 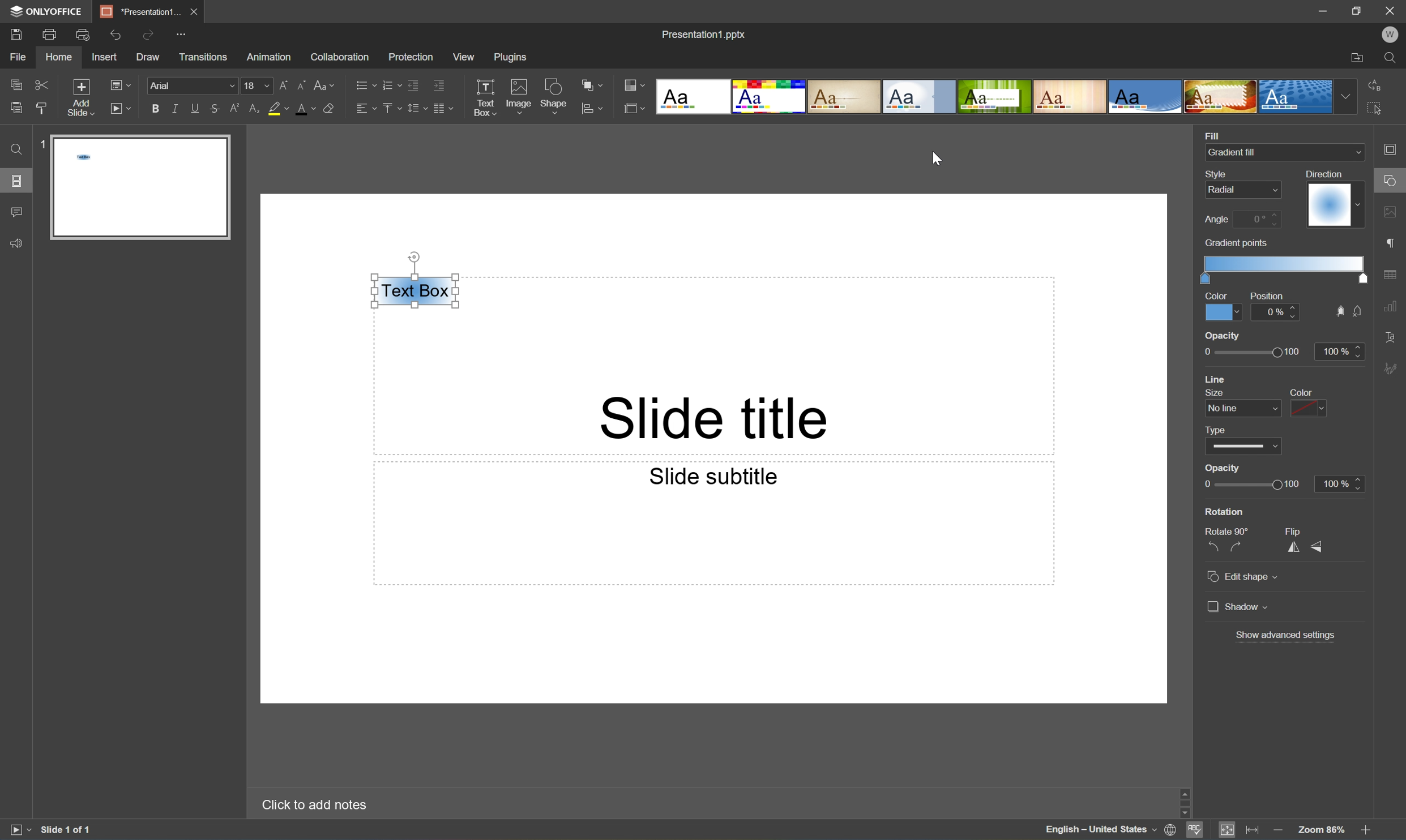 I want to click on Slider, so click(x=1254, y=483).